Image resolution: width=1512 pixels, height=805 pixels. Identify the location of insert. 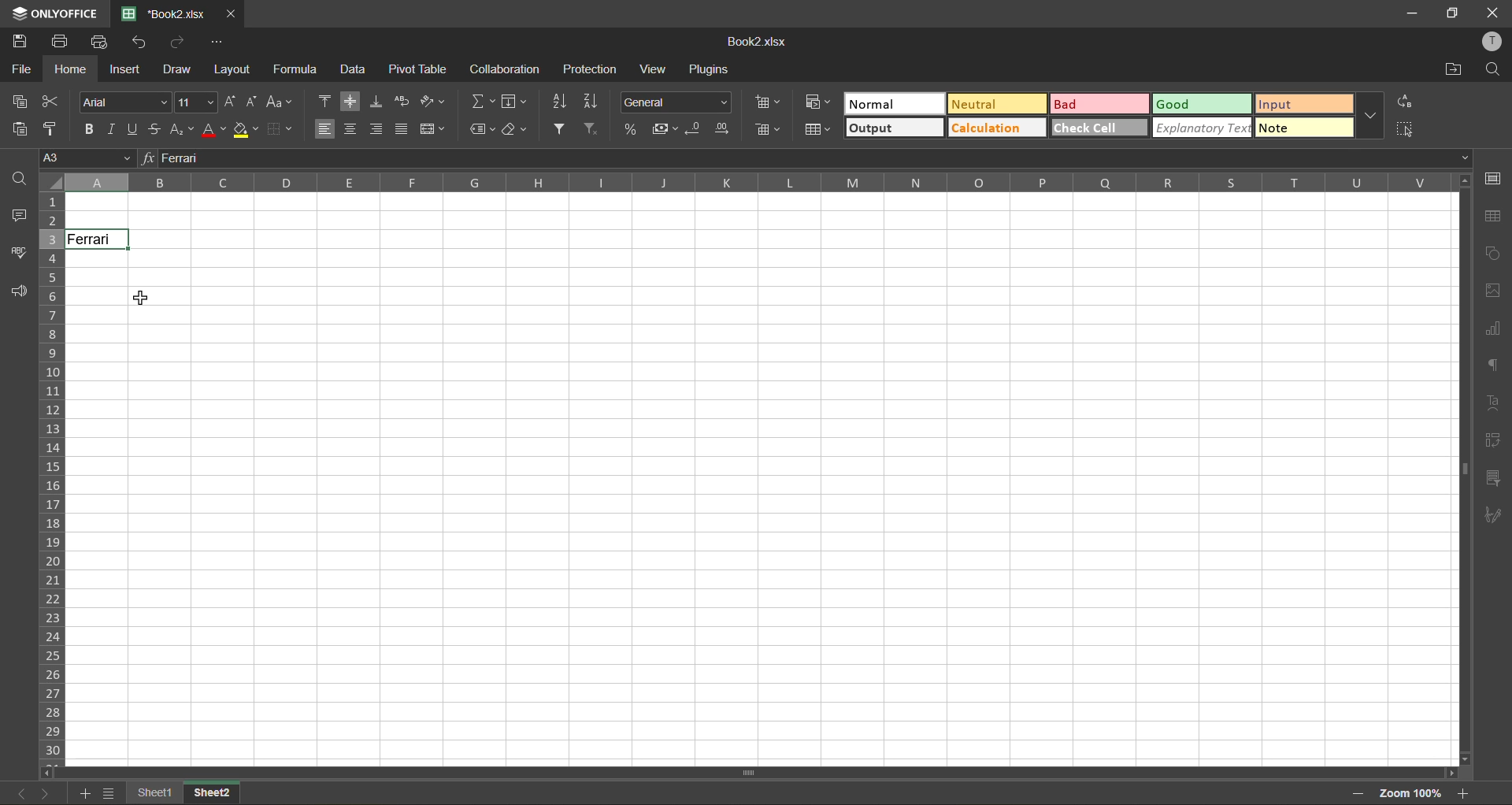
(125, 69).